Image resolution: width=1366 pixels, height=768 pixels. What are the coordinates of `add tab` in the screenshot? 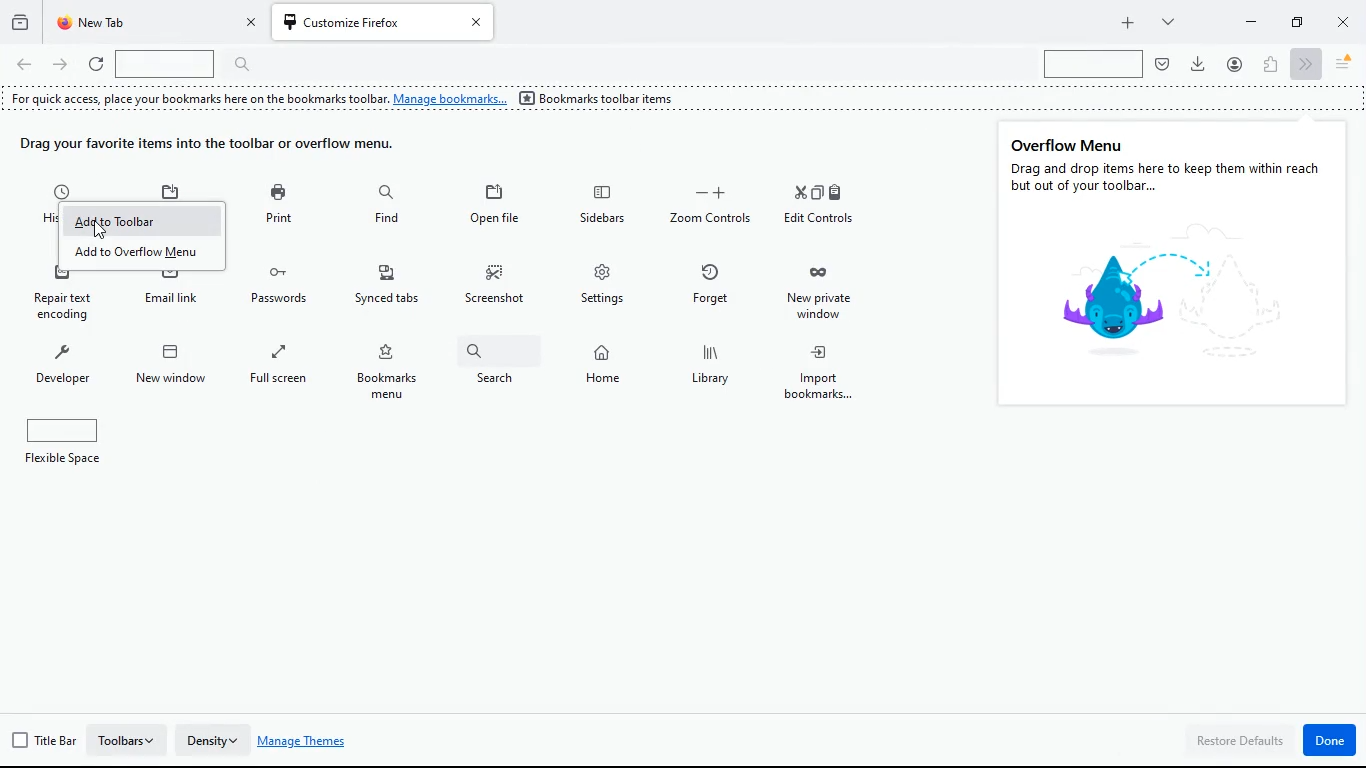 It's located at (1127, 23).